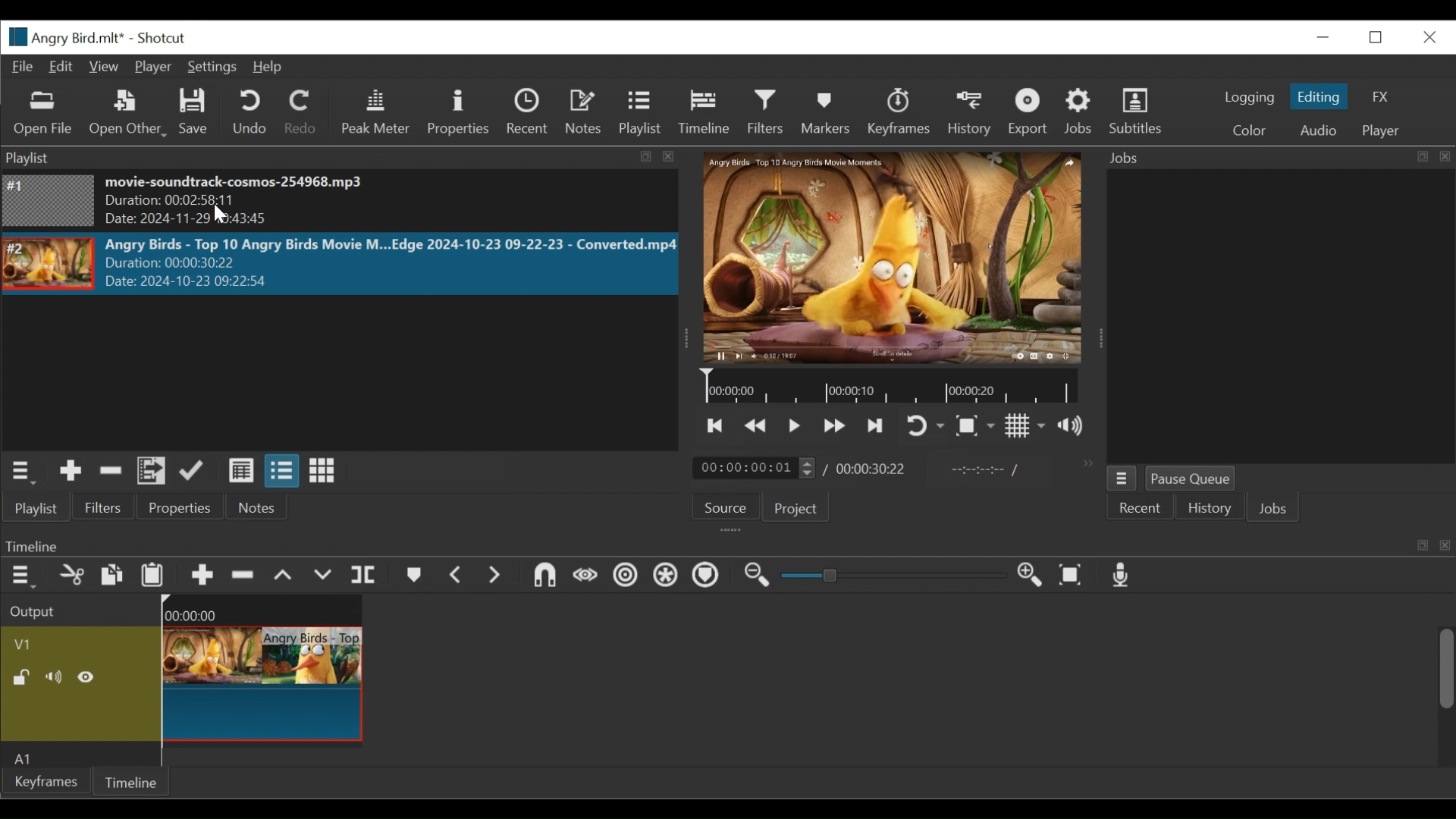 The image size is (1456, 819). I want to click on Play quickly forward, so click(832, 426).